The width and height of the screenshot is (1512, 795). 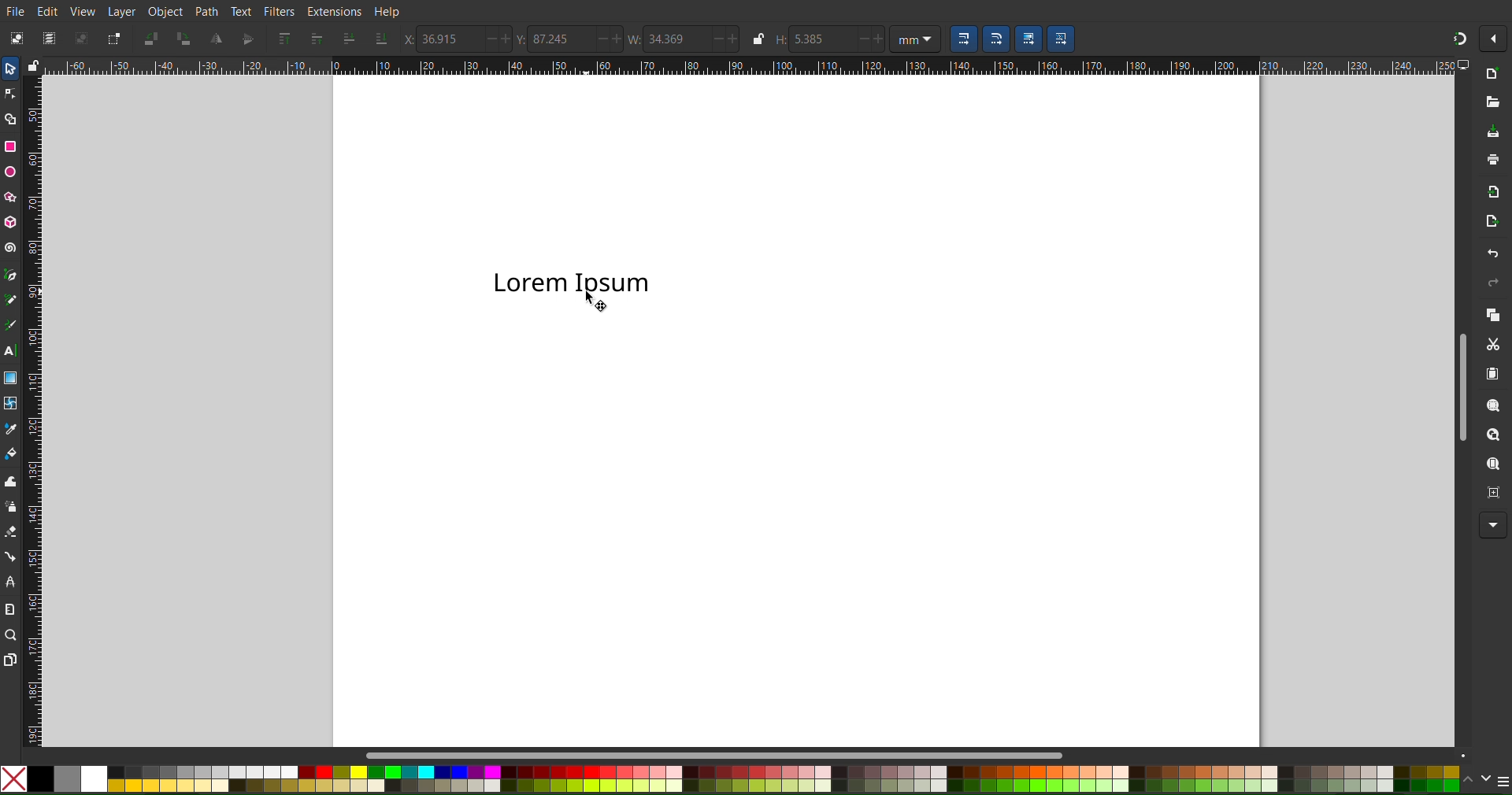 What do you see at coordinates (383, 39) in the screenshot?
I see `Move to the bottom` at bounding box center [383, 39].